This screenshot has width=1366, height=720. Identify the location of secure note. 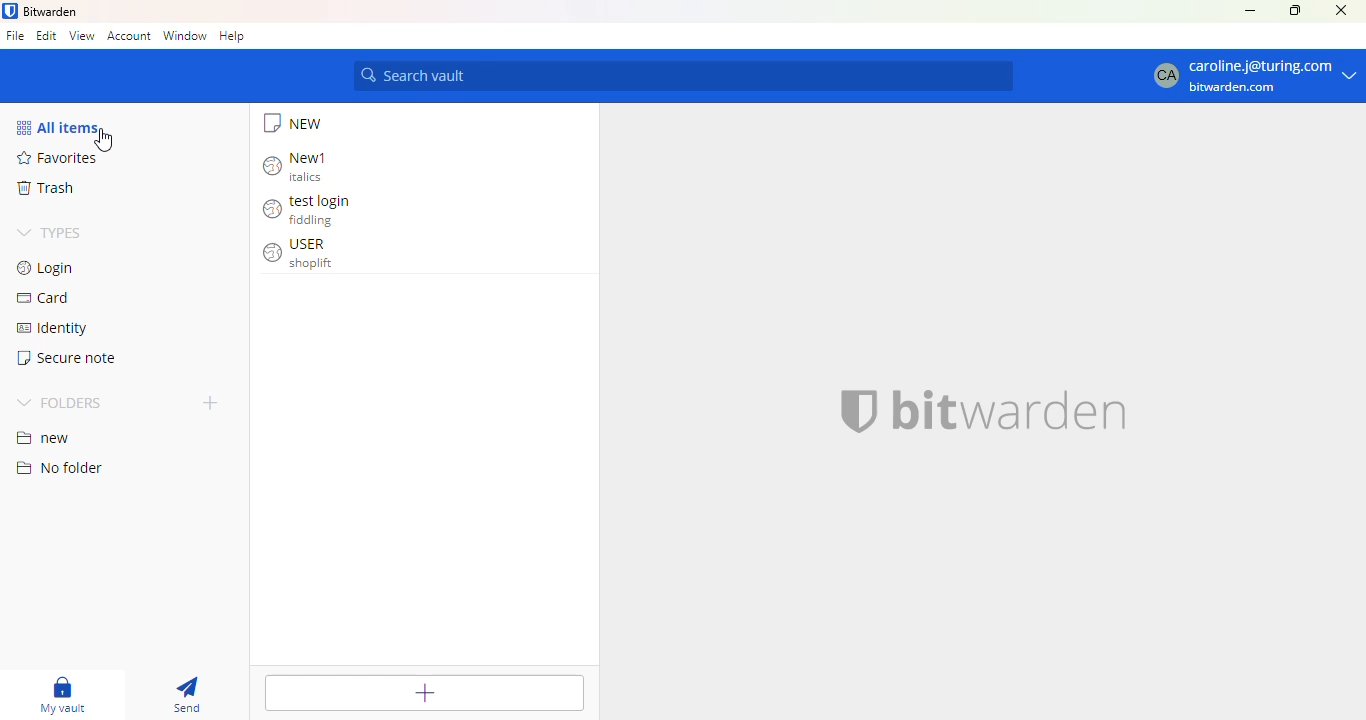
(65, 358).